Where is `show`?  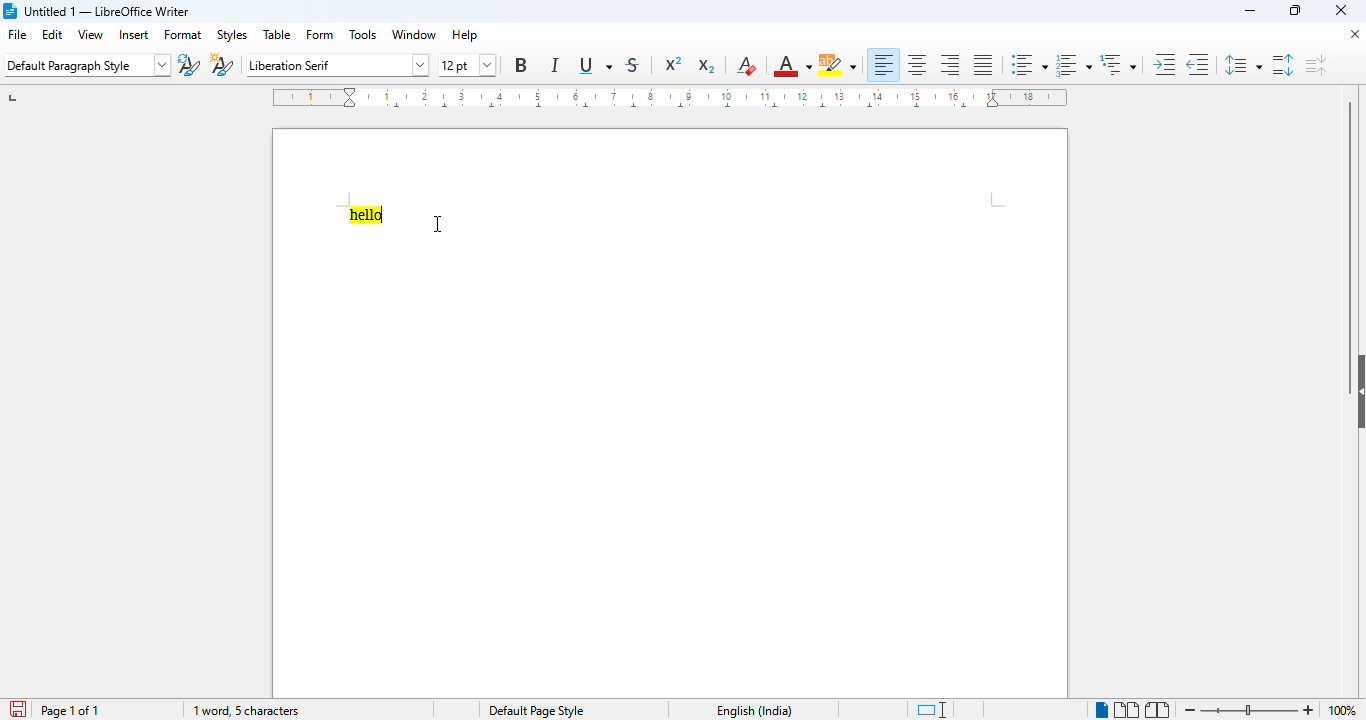 show is located at coordinates (1357, 392).